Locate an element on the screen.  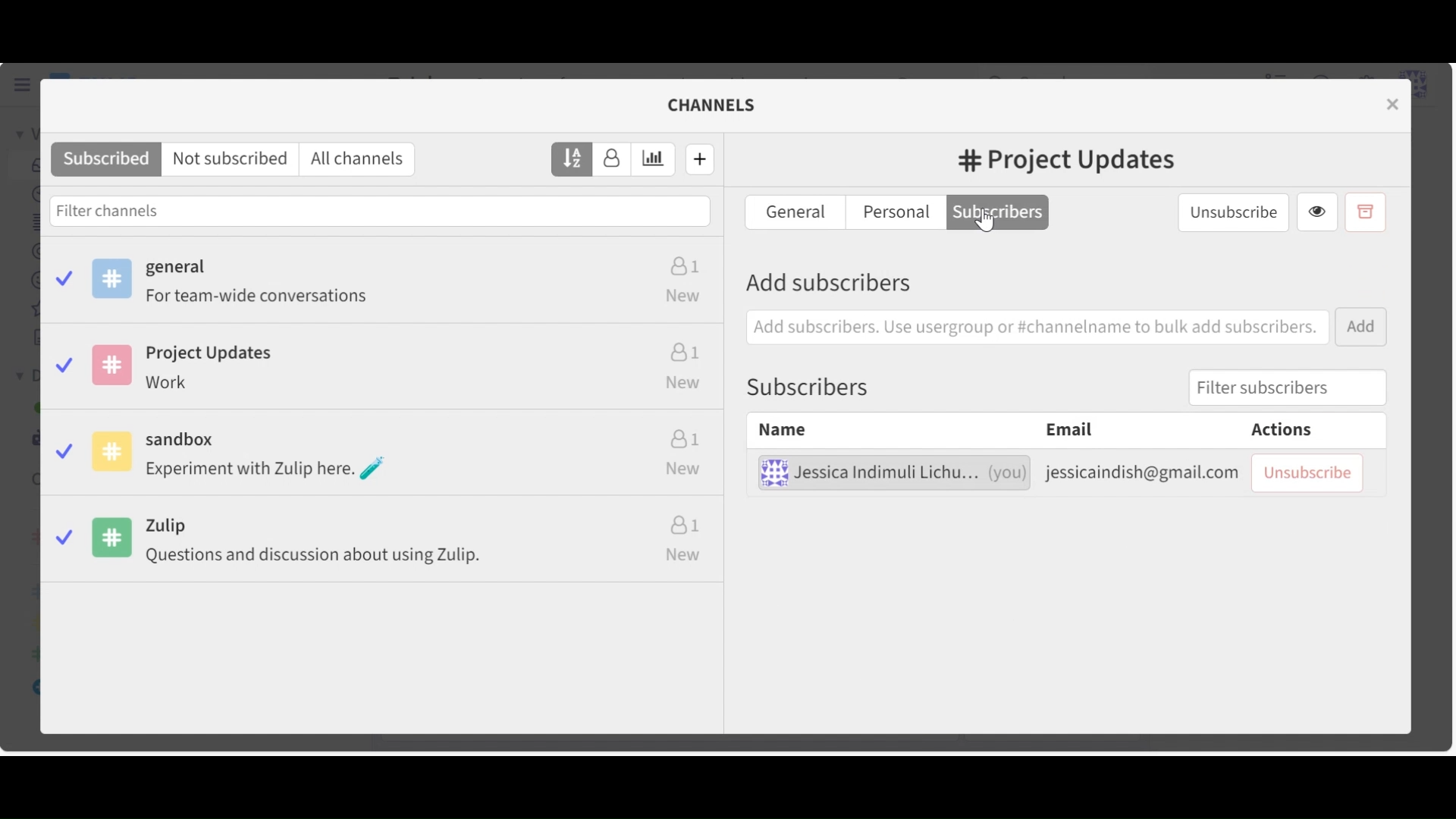
Add subscribers. Use usergroup or #channelname to bulk add subscribers is located at coordinates (1037, 328).